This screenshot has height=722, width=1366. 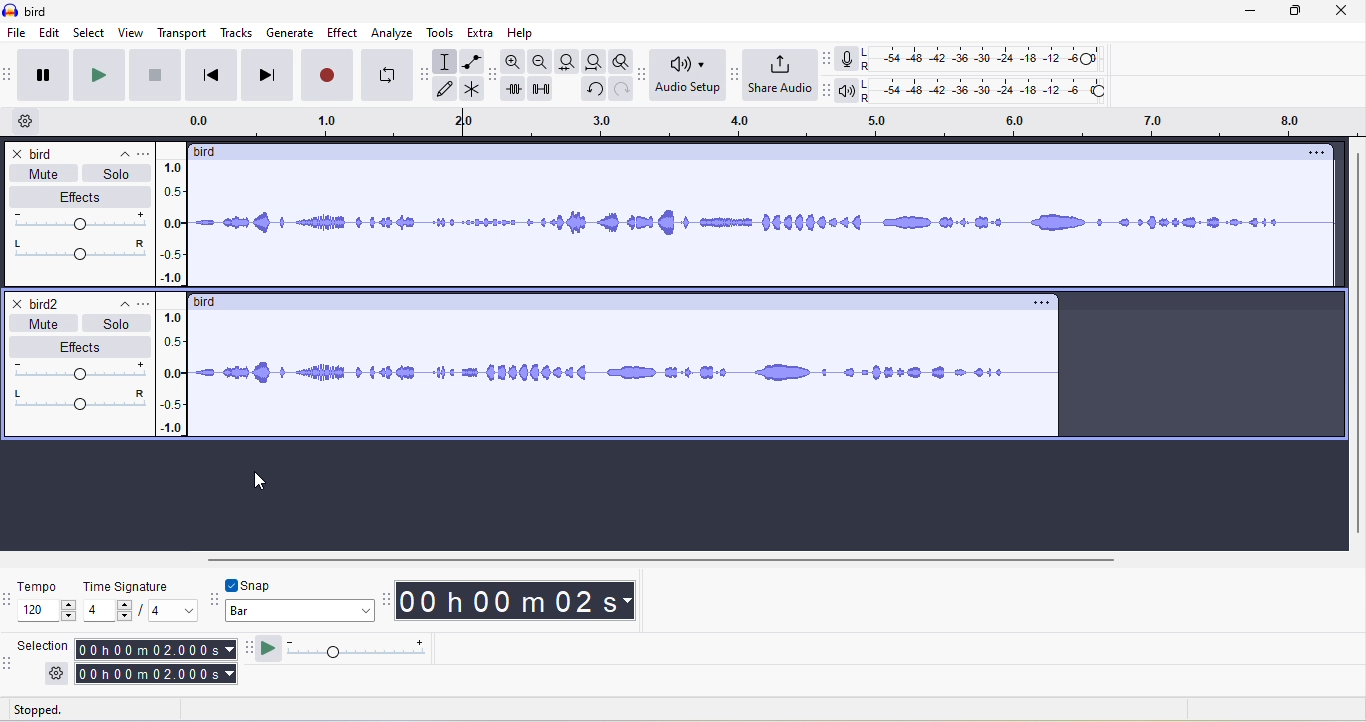 I want to click on pan center, so click(x=82, y=399).